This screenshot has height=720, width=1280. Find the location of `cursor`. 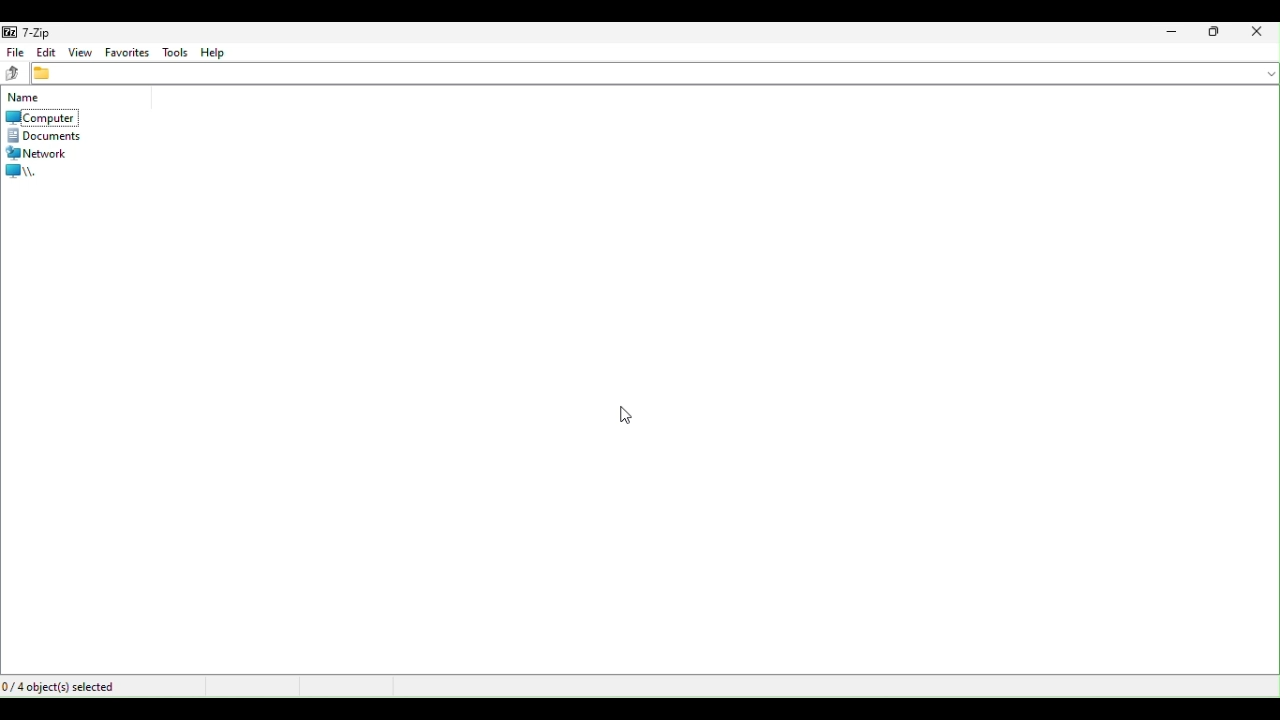

cursor is located at coordinates (626, 416).